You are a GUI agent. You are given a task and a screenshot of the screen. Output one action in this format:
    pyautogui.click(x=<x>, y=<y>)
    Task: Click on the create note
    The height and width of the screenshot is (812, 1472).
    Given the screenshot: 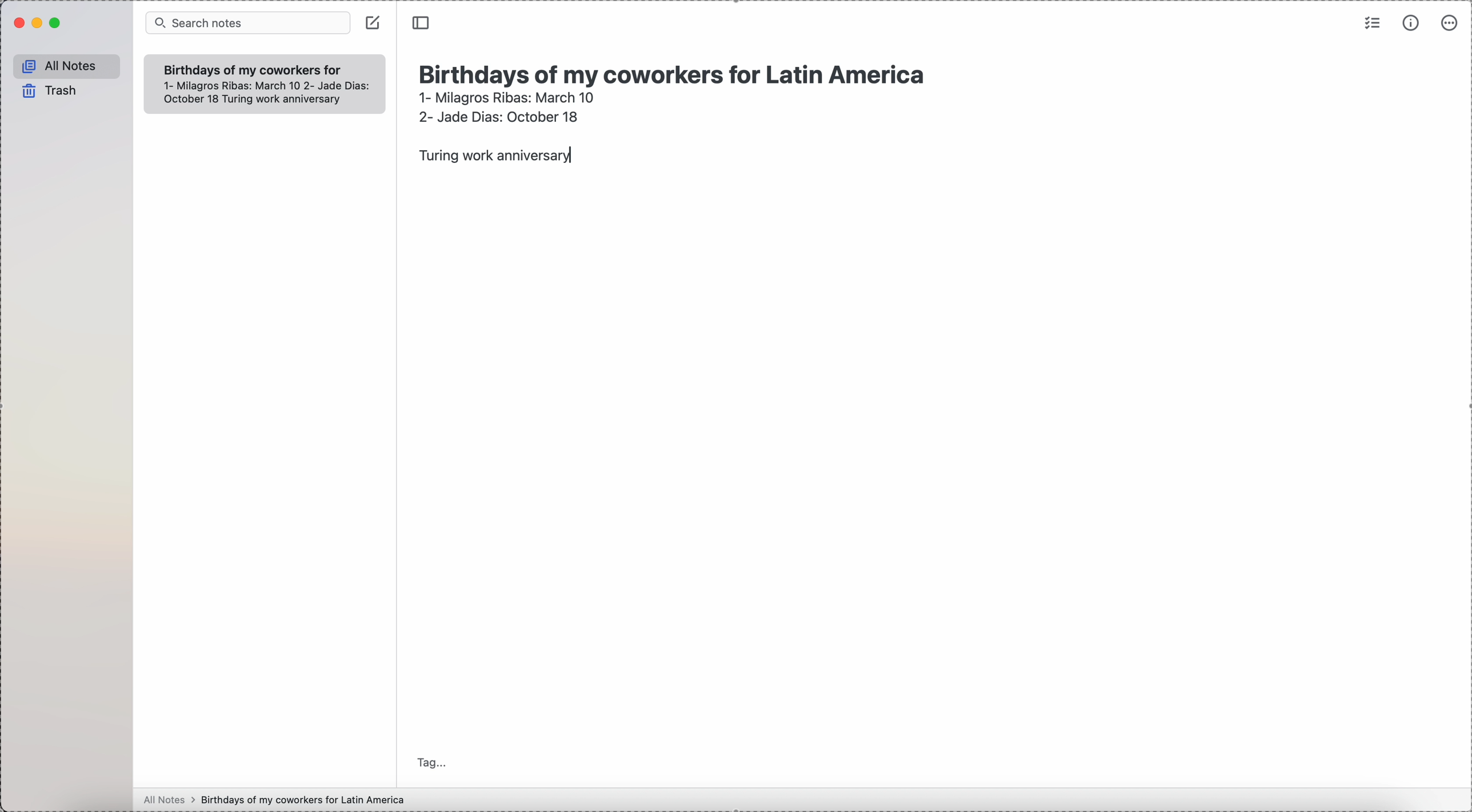 What is the action you would take?
    pyautogui.click(x=373, y=22)
    